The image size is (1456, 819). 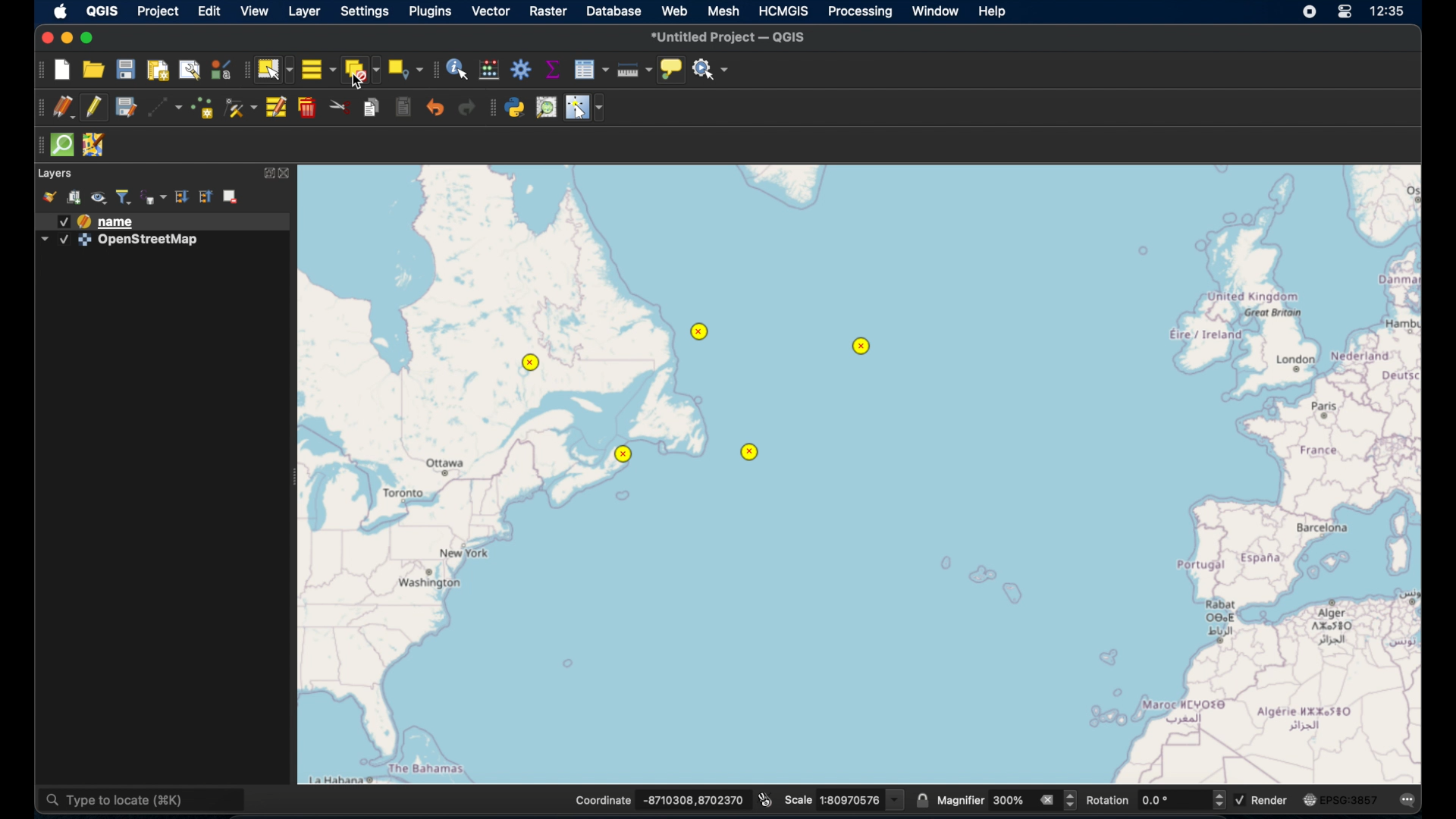 I want to click on window, so click(x=937, y=12).